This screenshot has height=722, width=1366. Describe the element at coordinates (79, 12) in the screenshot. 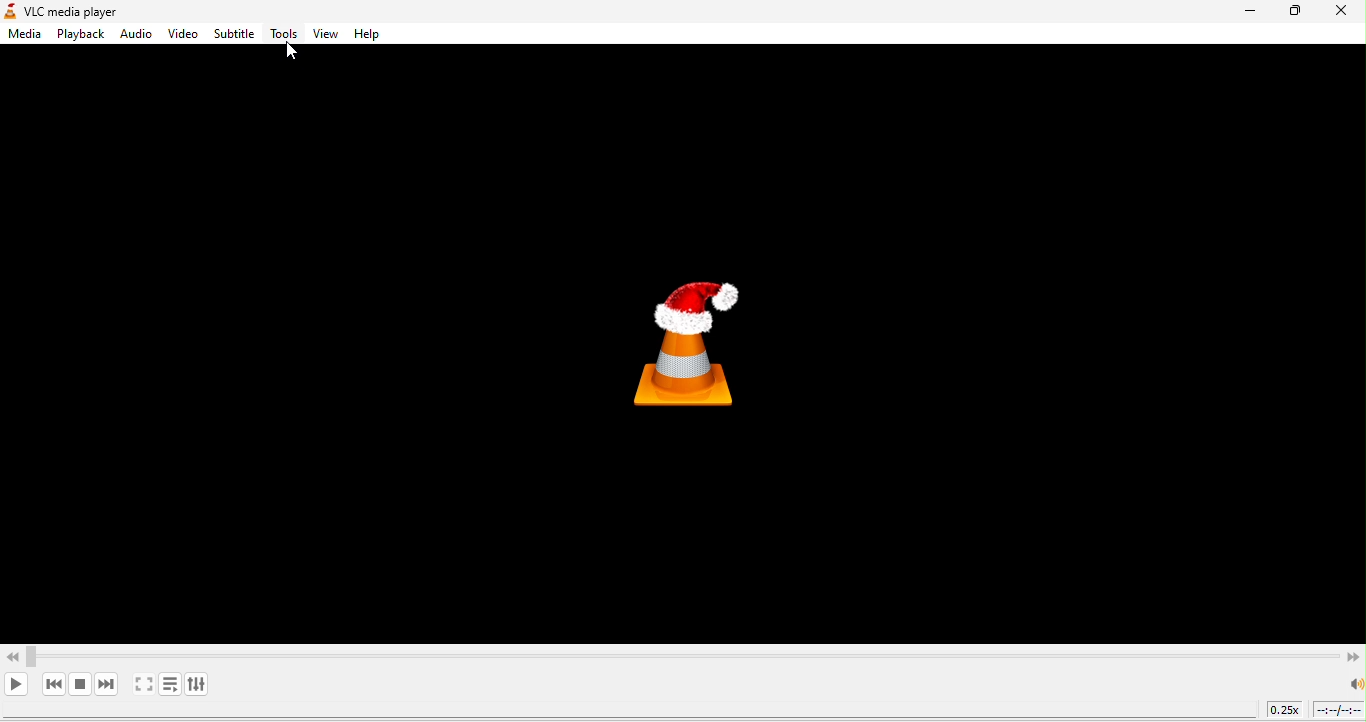

I see `vlc media player` at that location.